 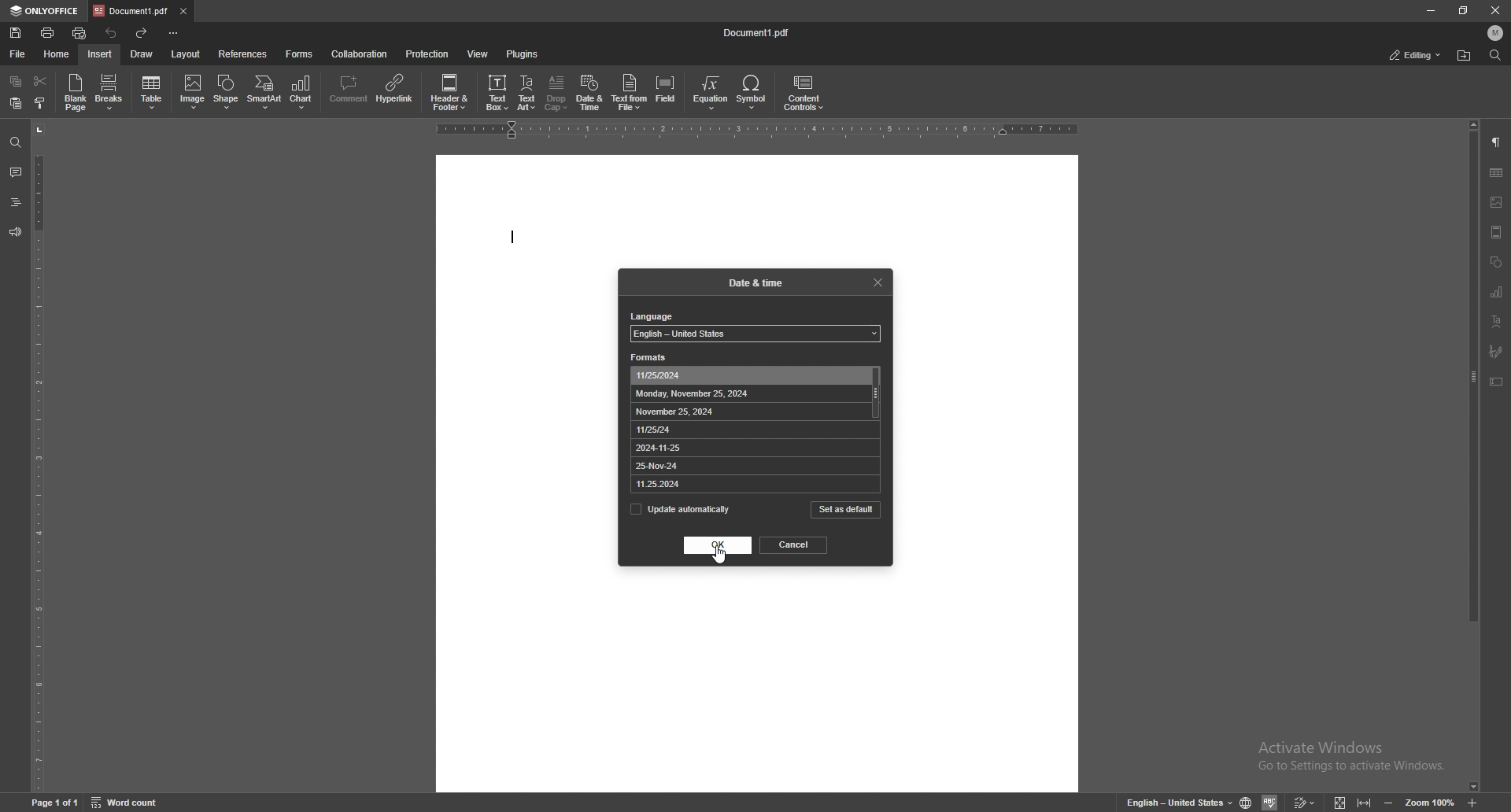 What do you see at coordinates (1341, 801) in the screenshot?
I see `fit to screen` at bounding box center [1341, 801].